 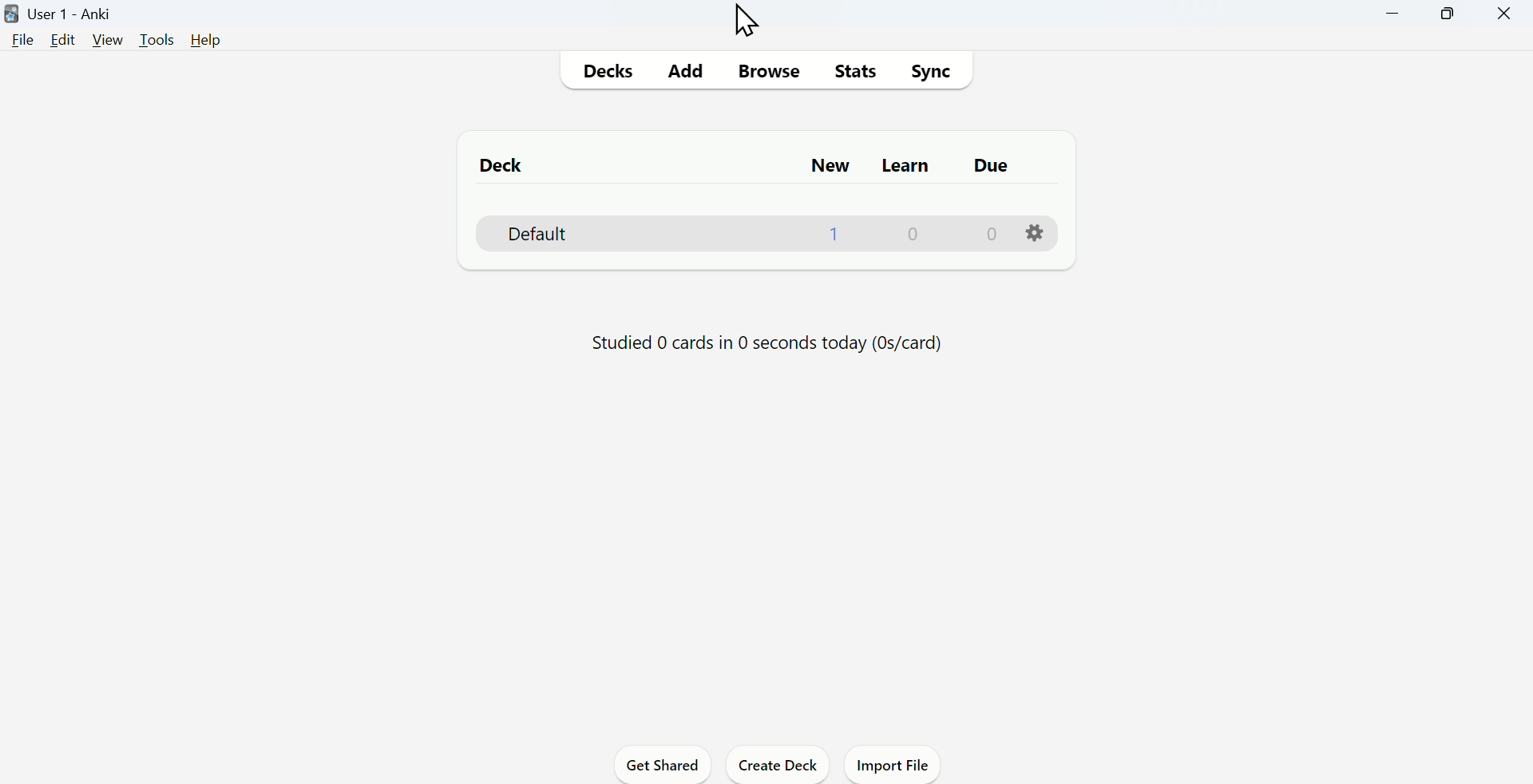 I want to click on Stats, so click(x=856, y=70).